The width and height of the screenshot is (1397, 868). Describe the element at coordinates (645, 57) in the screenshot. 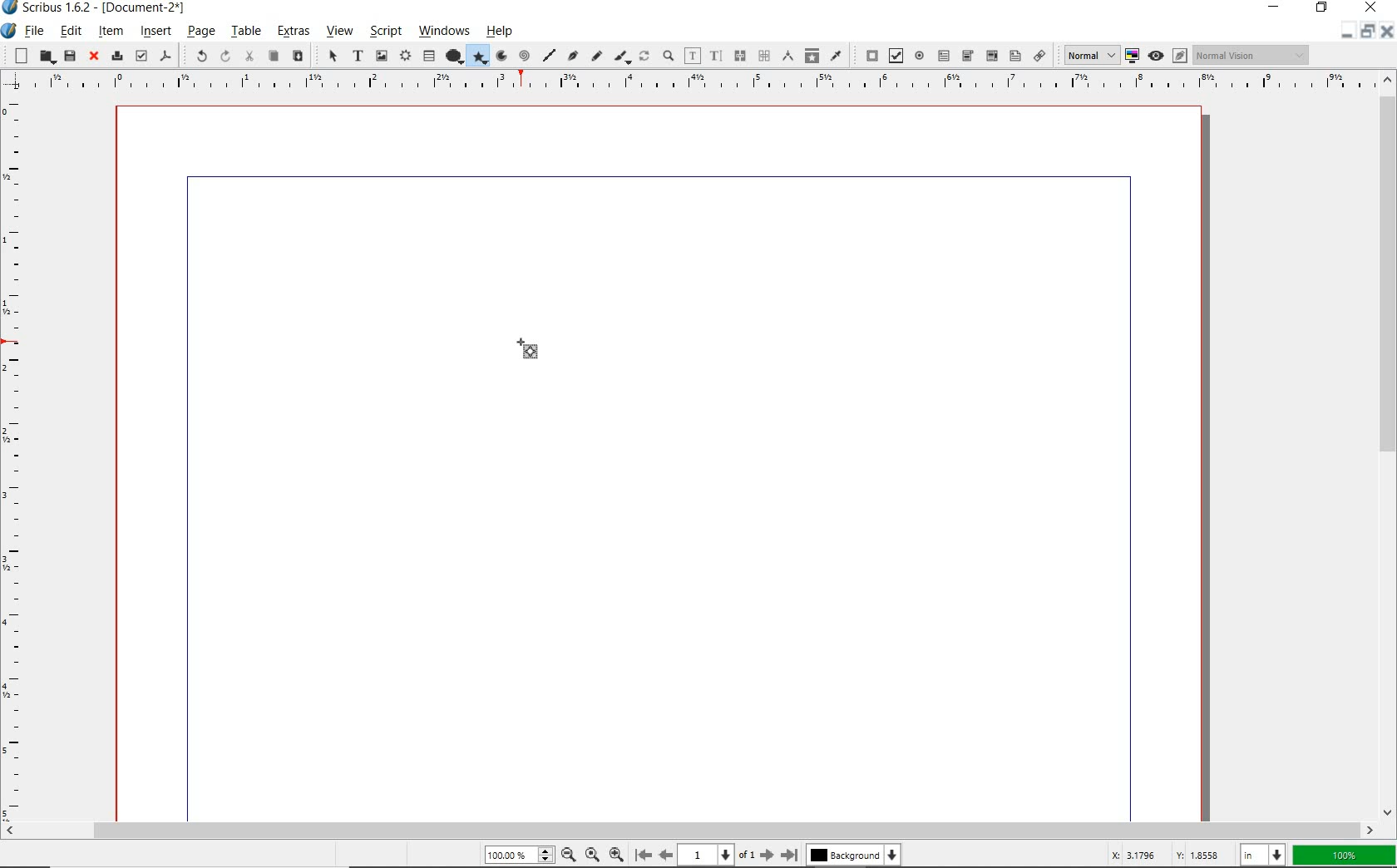

I see `rotate item` at that location.